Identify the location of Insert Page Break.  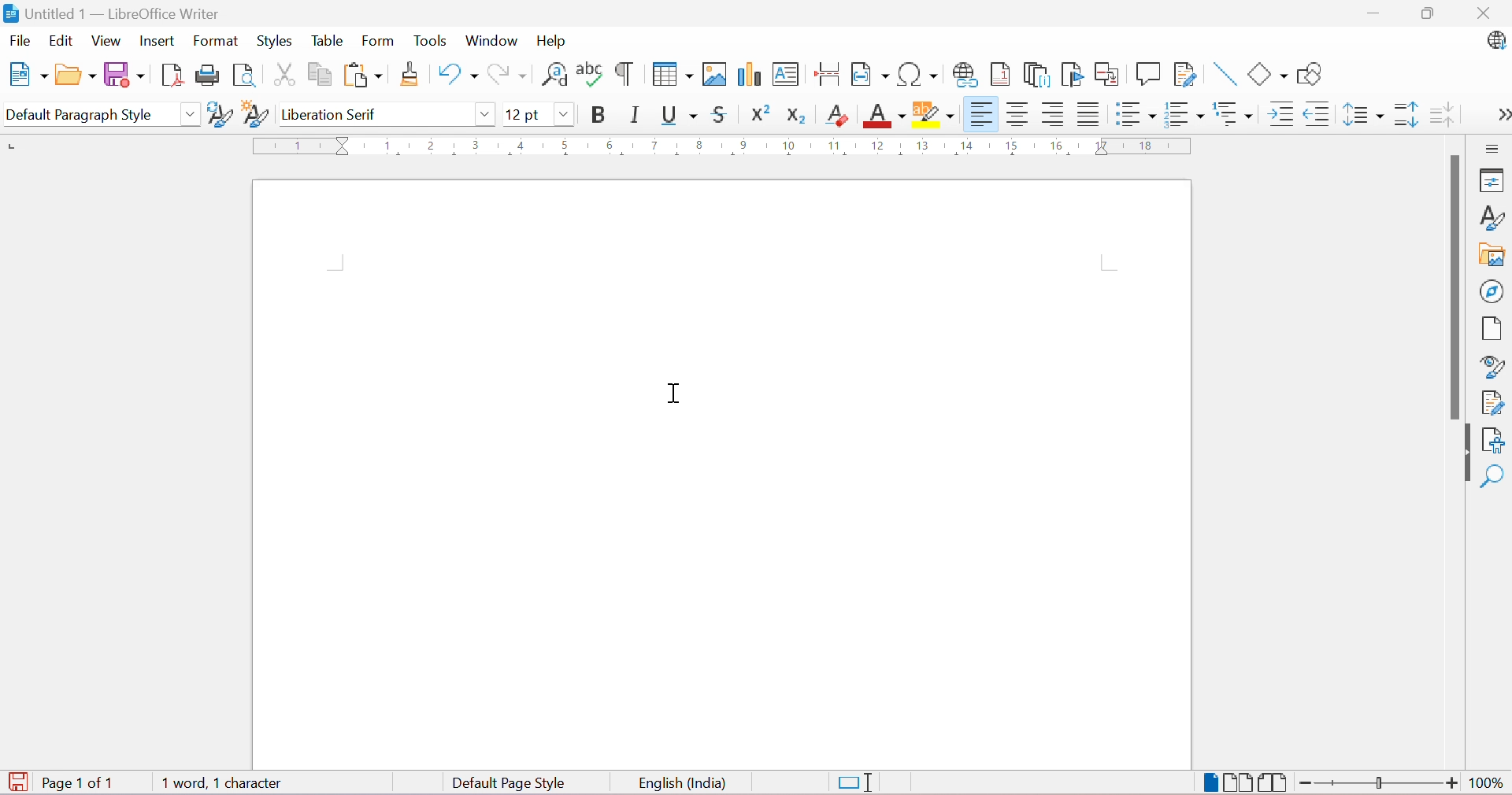
(828, 76).